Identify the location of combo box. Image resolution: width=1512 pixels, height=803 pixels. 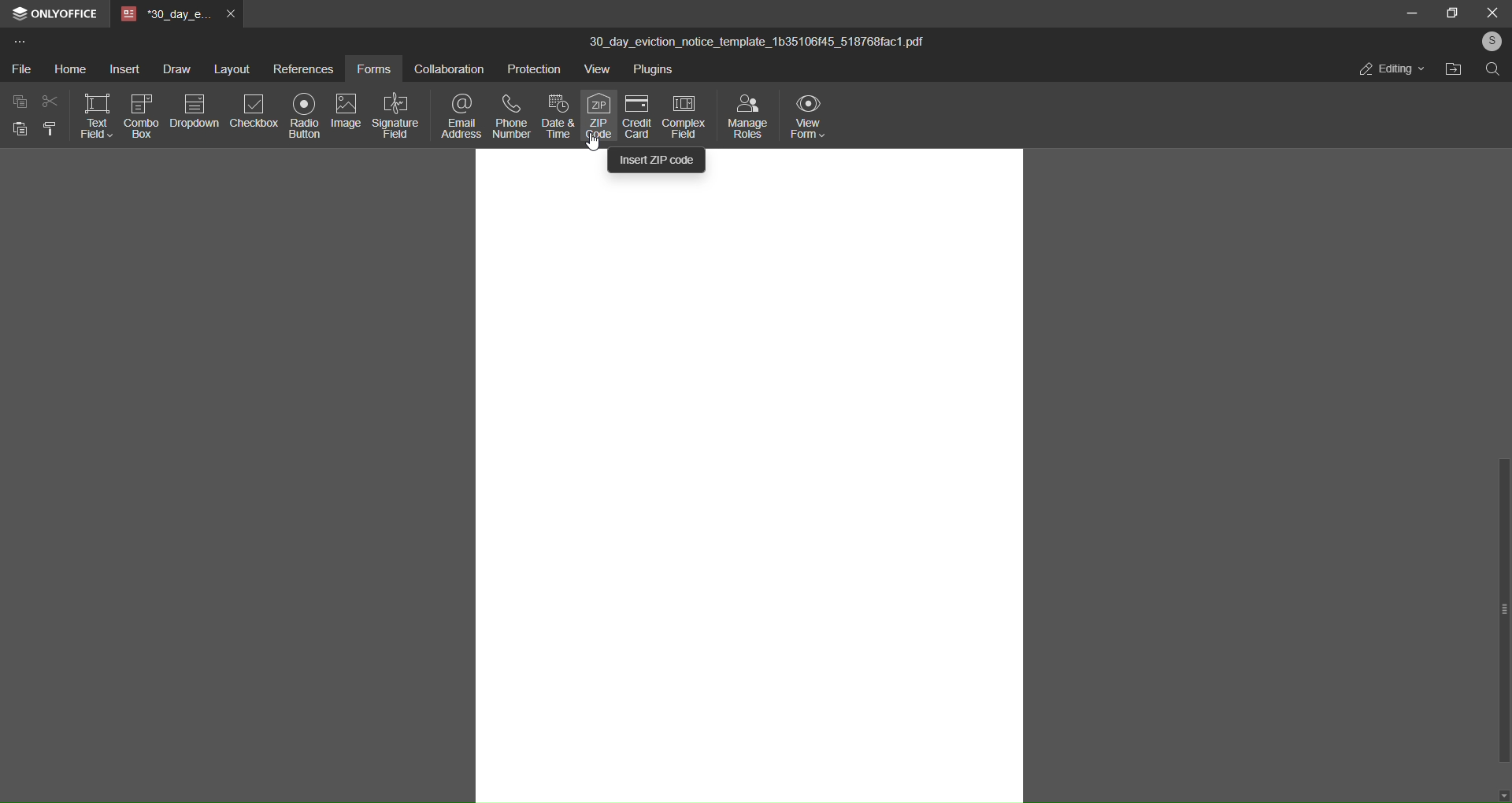
(140, 113).